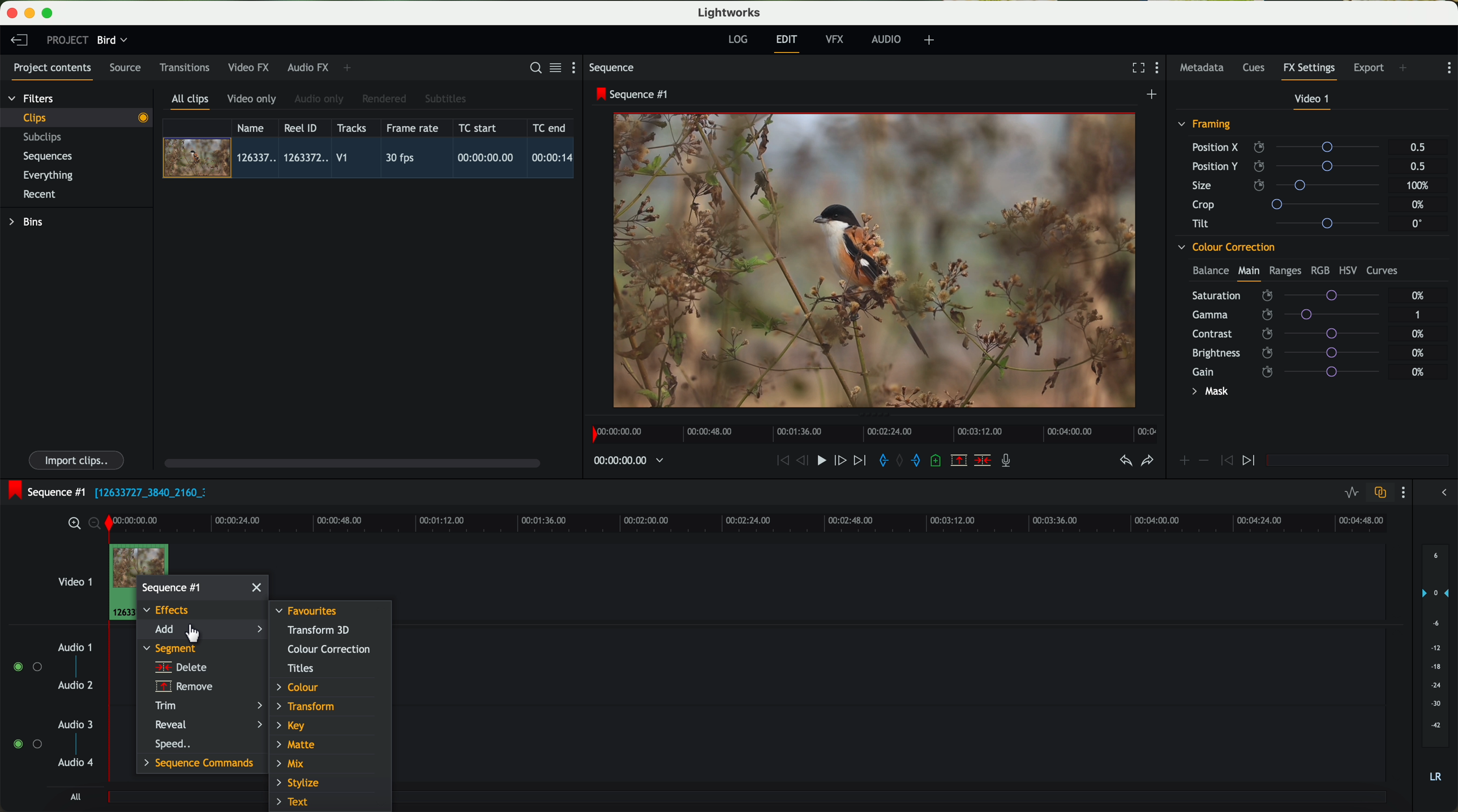 The height and width of the screenshot is (812, 1458). I want to click on bins, so click(28, 222).